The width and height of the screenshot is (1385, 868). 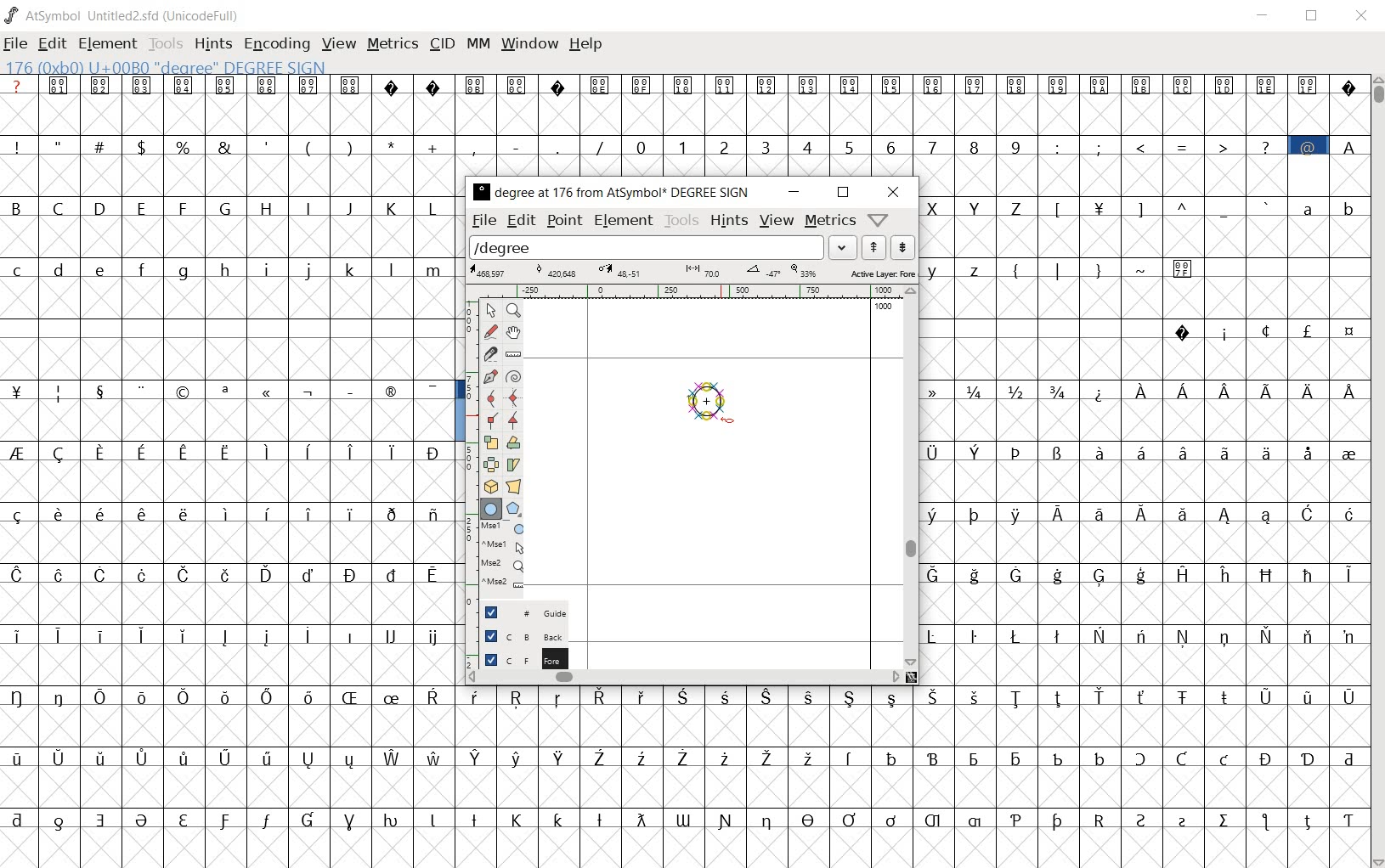 What do you see at coordinates (234, 603) in the screenshot?
I see `empty glyph slots` at bounding box center [234, 603].